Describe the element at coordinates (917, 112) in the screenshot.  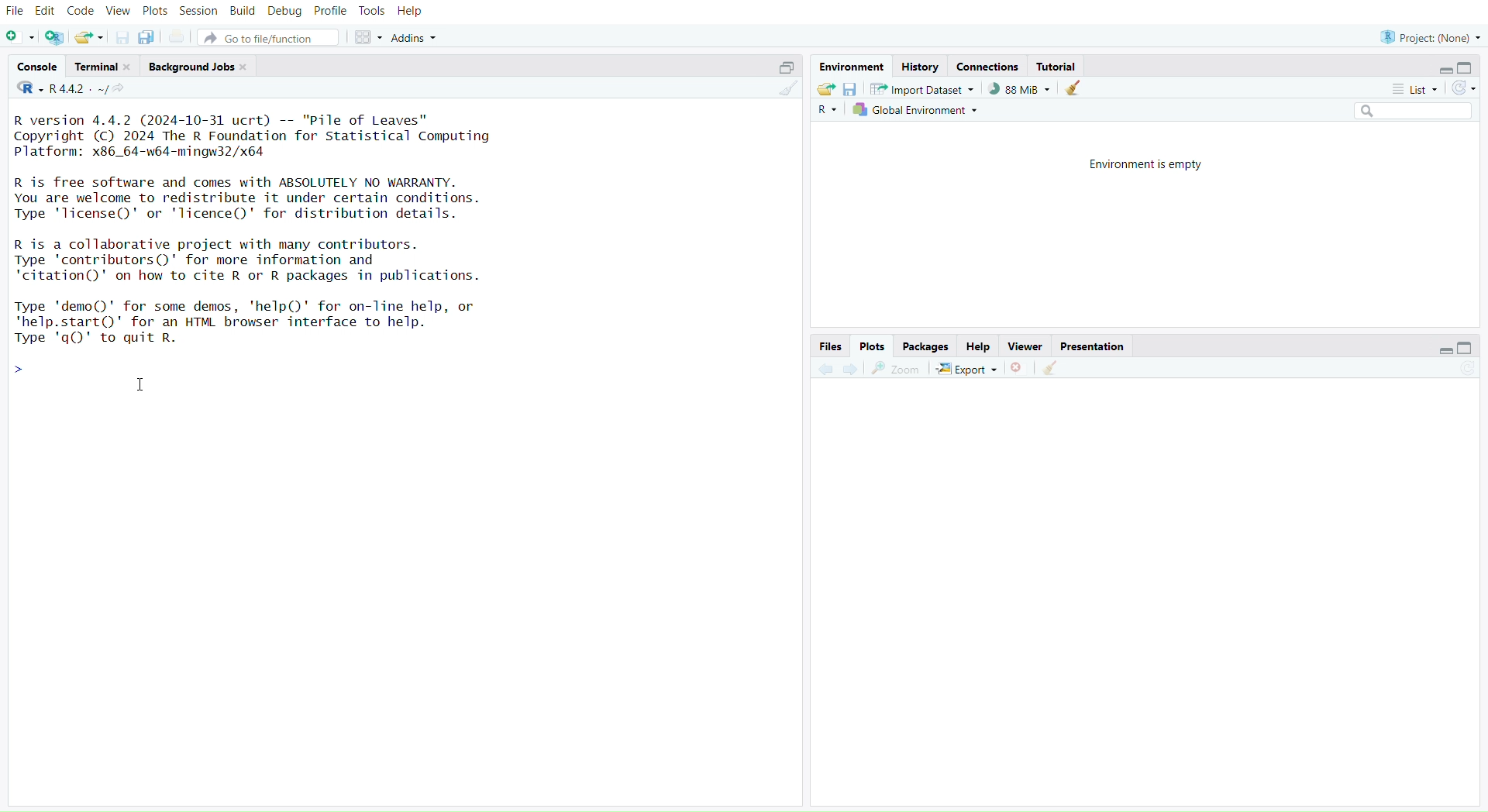
I see `global environment` at that location.